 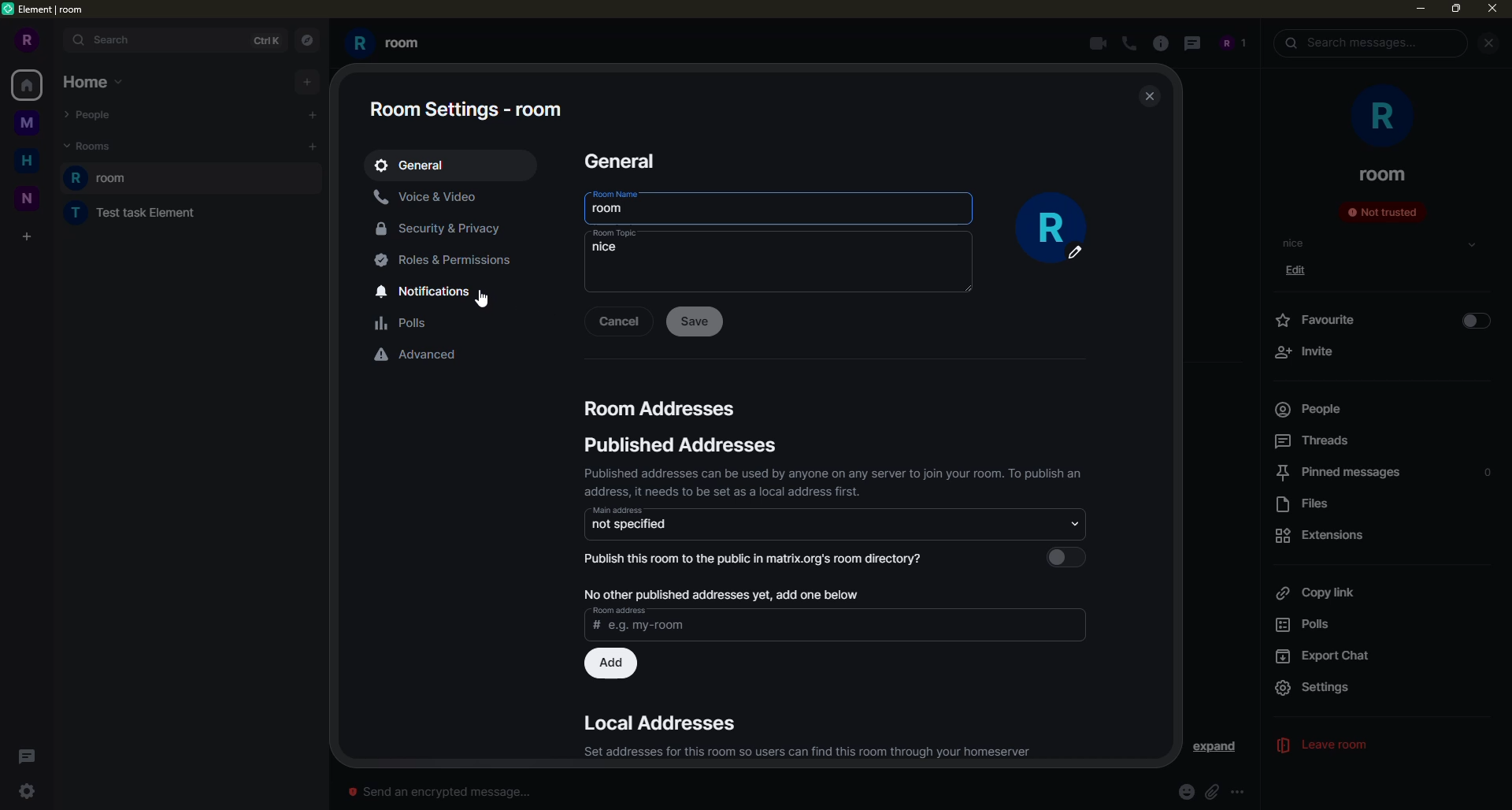 I want to click on select, so click(x=1472, y=245).